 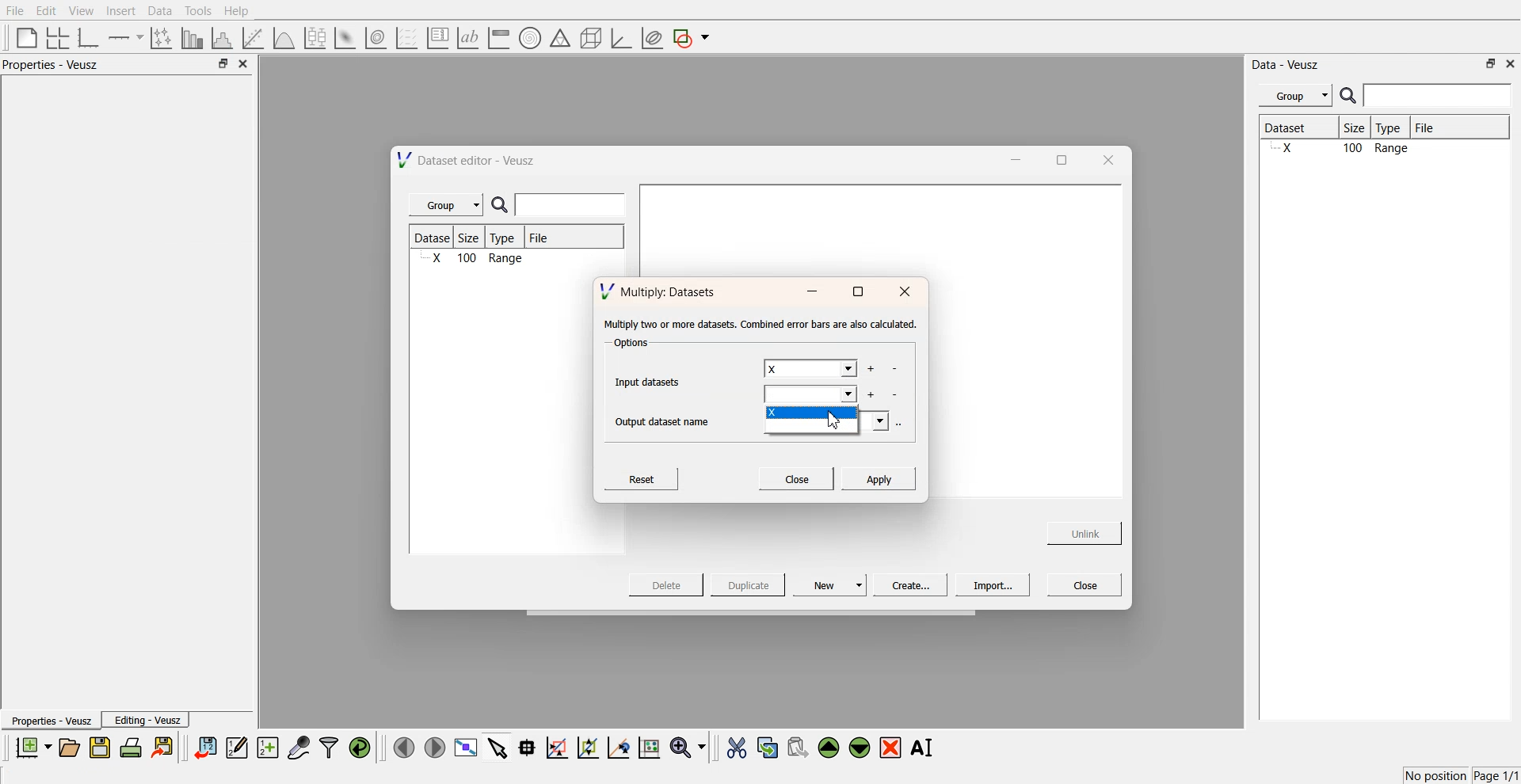 I want to click on No position, so click(x=1438, y=774).